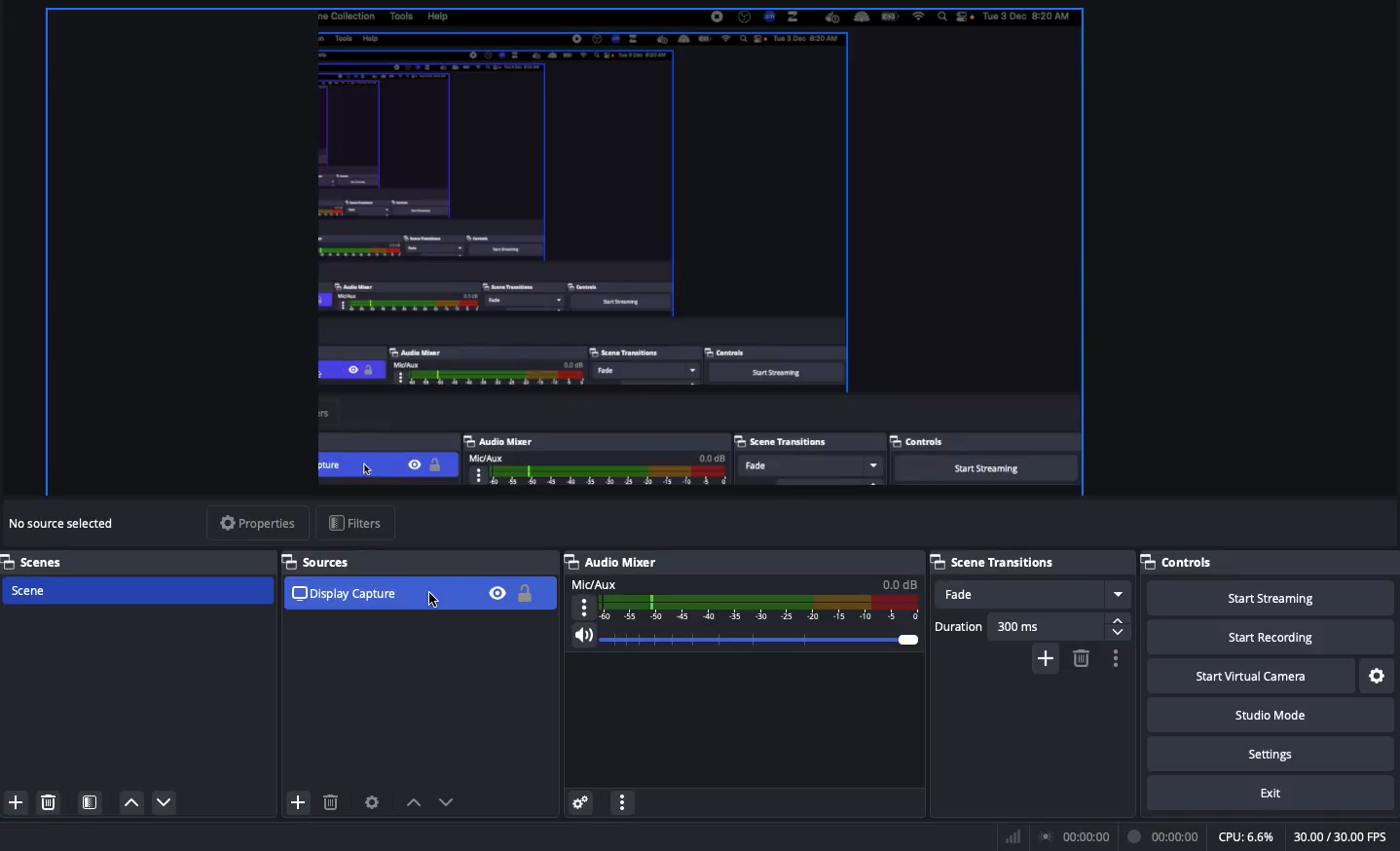  What do you see at coordinates (1034, 596) in the screenshot?
I see `Fade` at bounding box center [1034, 596].